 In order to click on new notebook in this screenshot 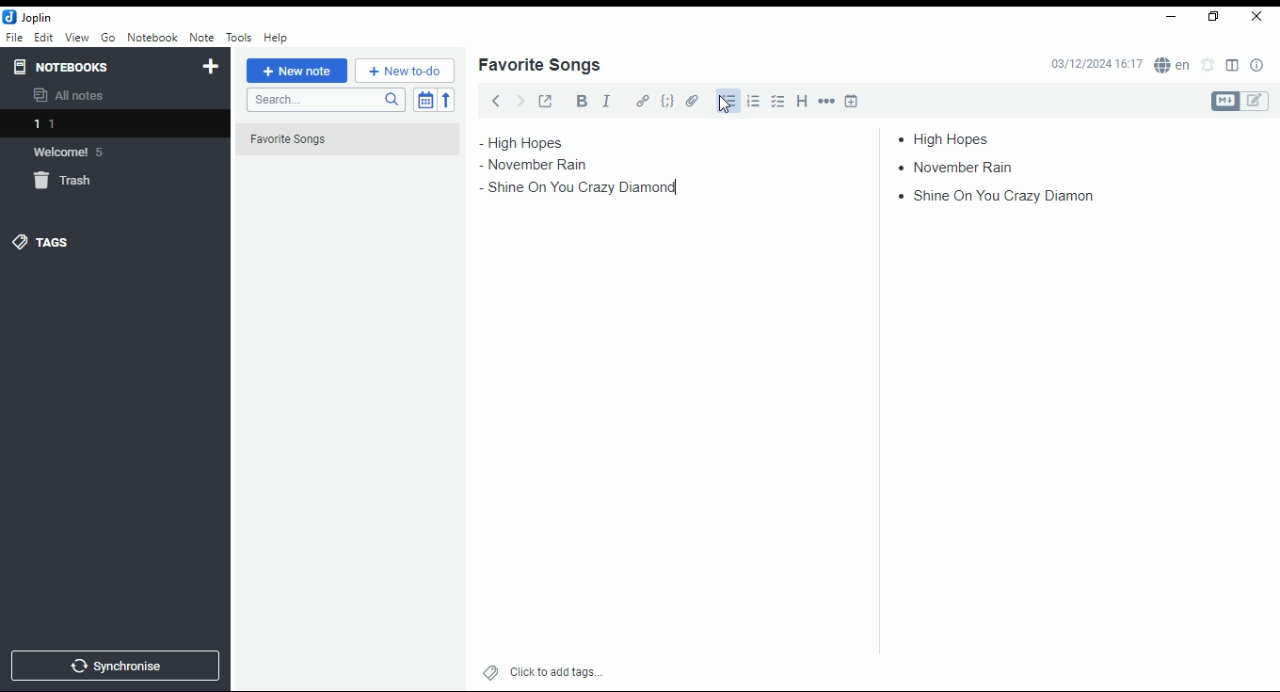, I will do `click(211, 67)`.